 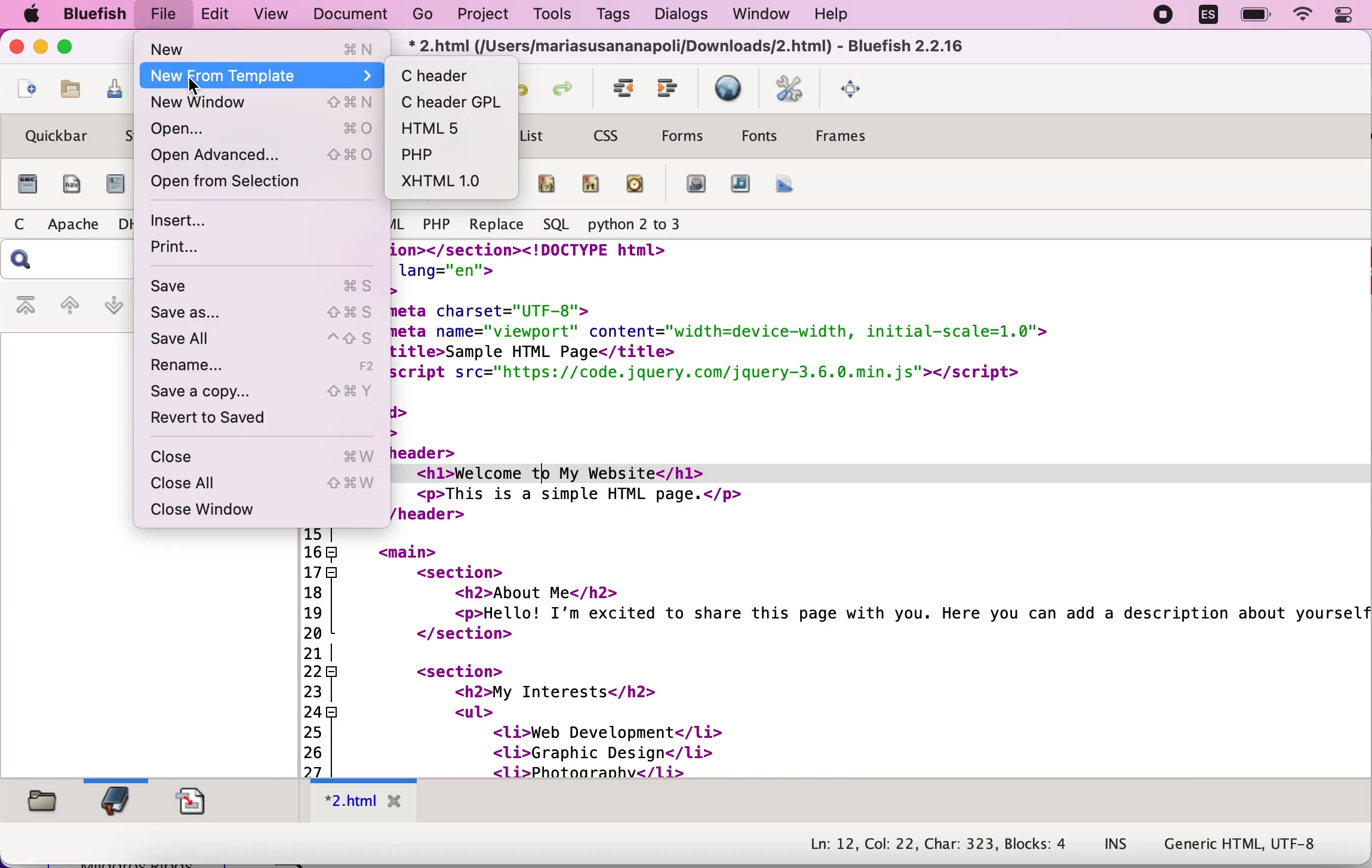 I want to click on close, so click(x=272, y=458).